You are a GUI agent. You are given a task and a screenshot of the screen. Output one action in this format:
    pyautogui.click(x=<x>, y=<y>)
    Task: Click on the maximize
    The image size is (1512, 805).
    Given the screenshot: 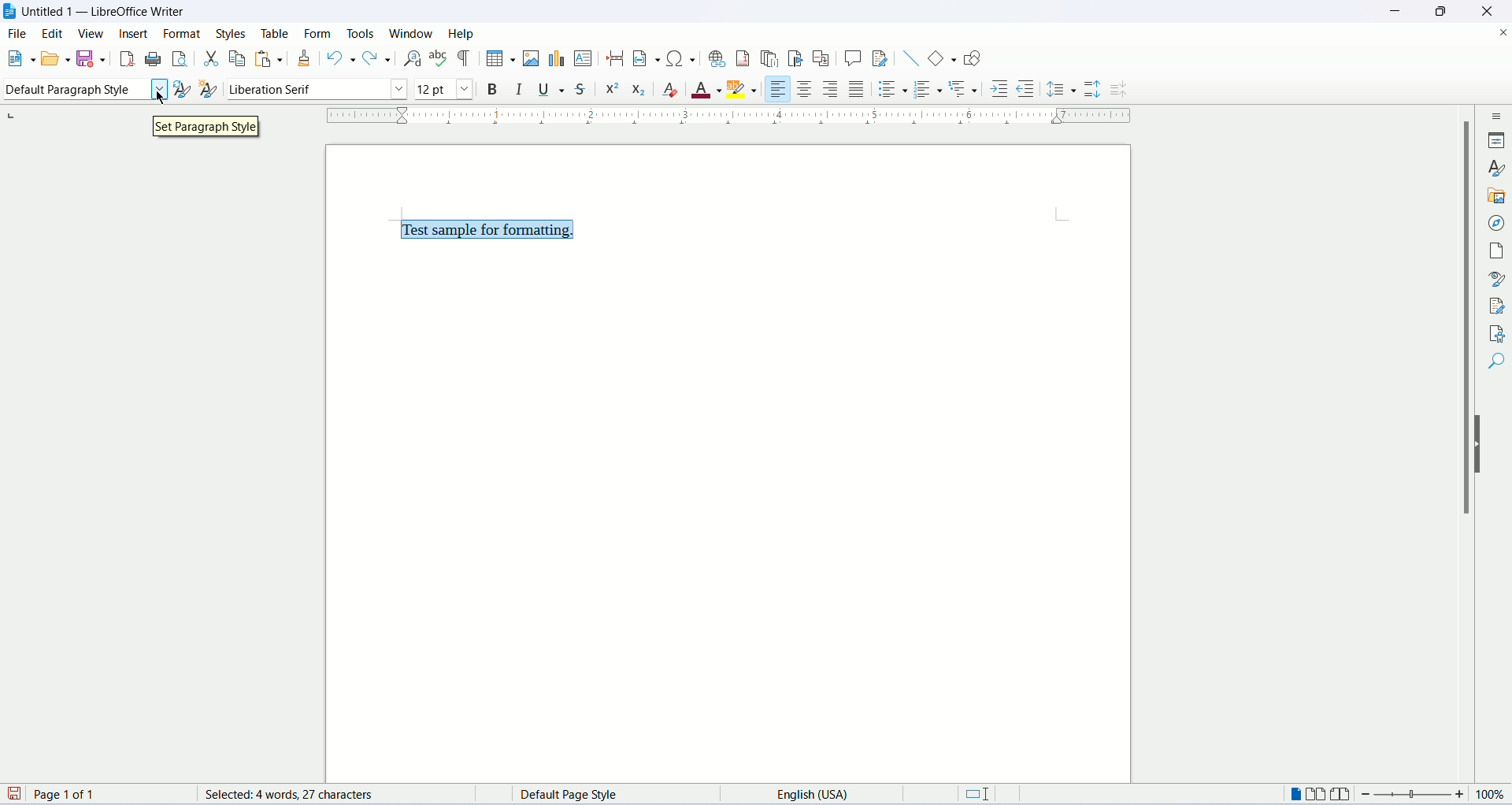 What is the action you would take?
    pyautogui.click(x=1440, y=11)
    